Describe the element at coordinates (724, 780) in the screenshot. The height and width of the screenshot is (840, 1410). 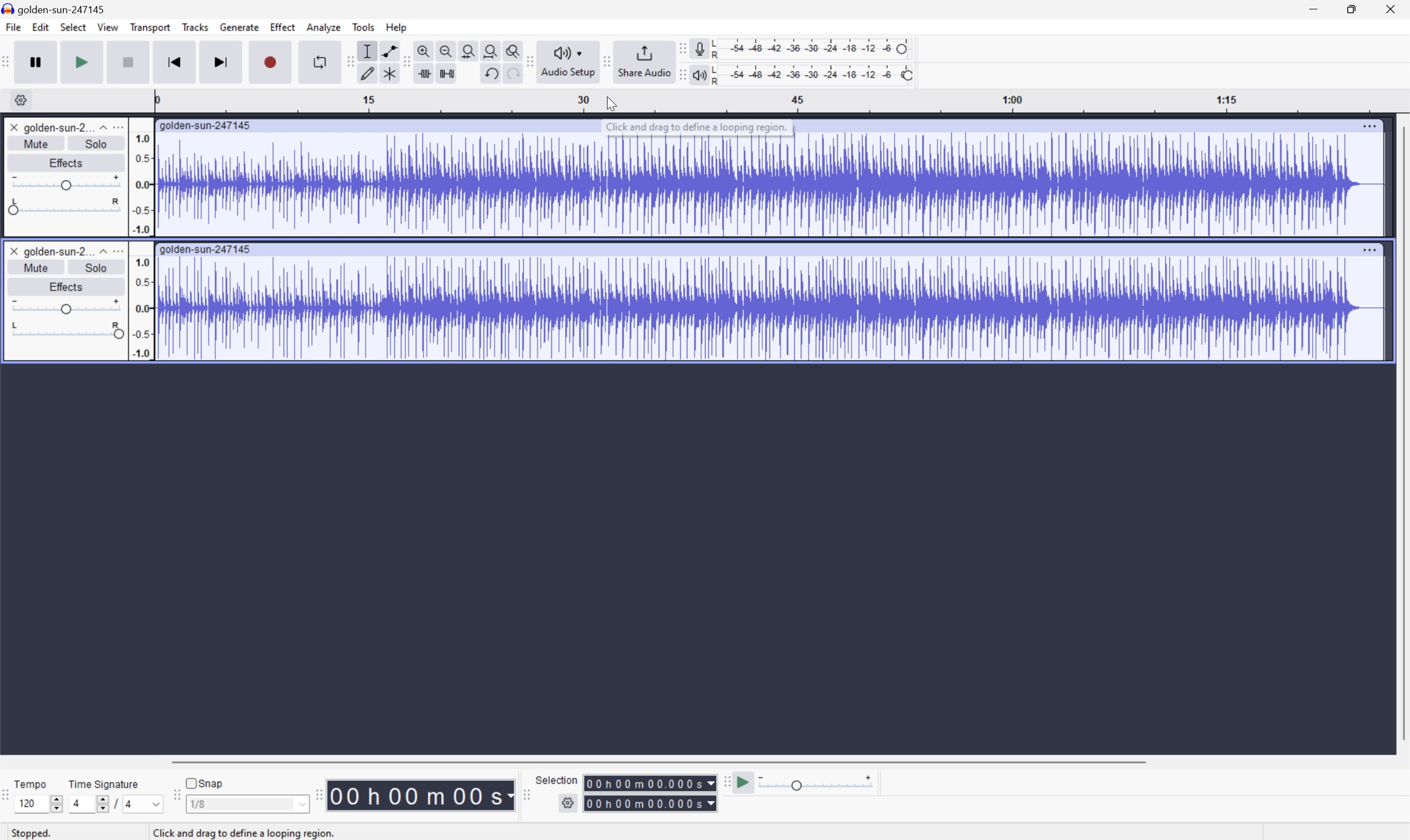
I see `Audacity Play at speed toolbar` at that location.